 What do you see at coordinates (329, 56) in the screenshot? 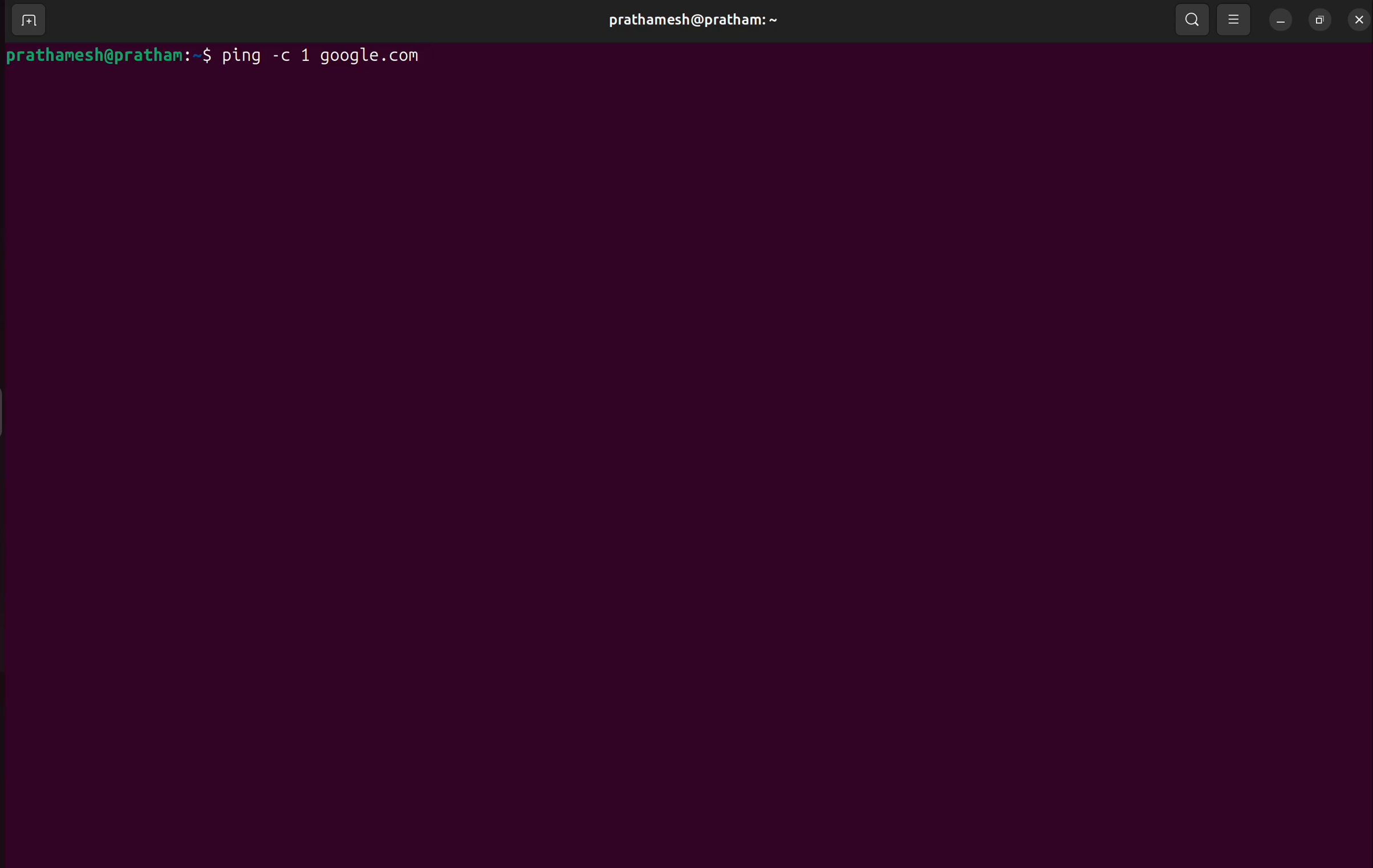
I see `ping -c 1 google.com` at bounding box center [329, 56].